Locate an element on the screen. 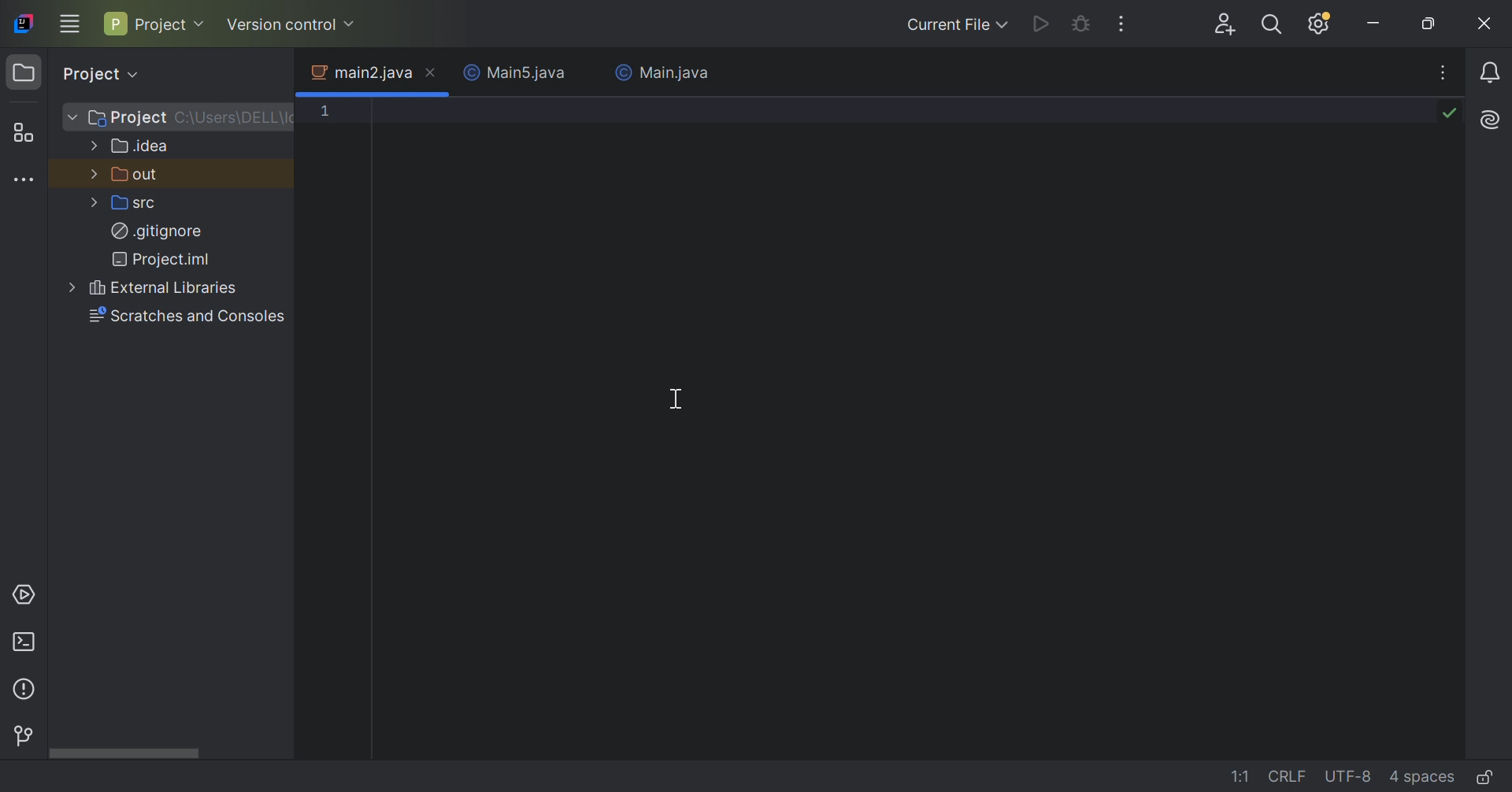  Run is located at coordinates (1043, 24).